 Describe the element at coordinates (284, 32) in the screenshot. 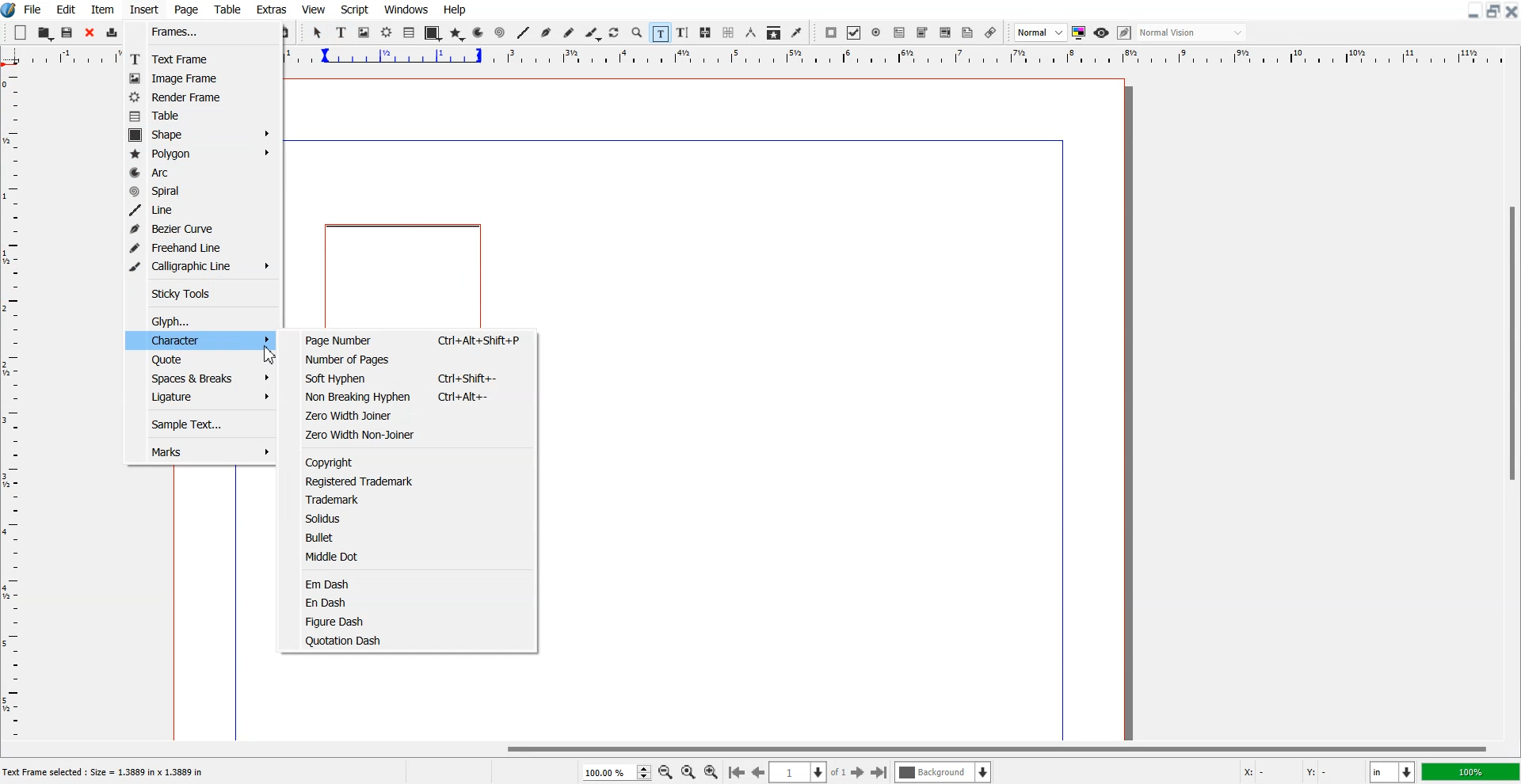

I see `Paste` at that location.